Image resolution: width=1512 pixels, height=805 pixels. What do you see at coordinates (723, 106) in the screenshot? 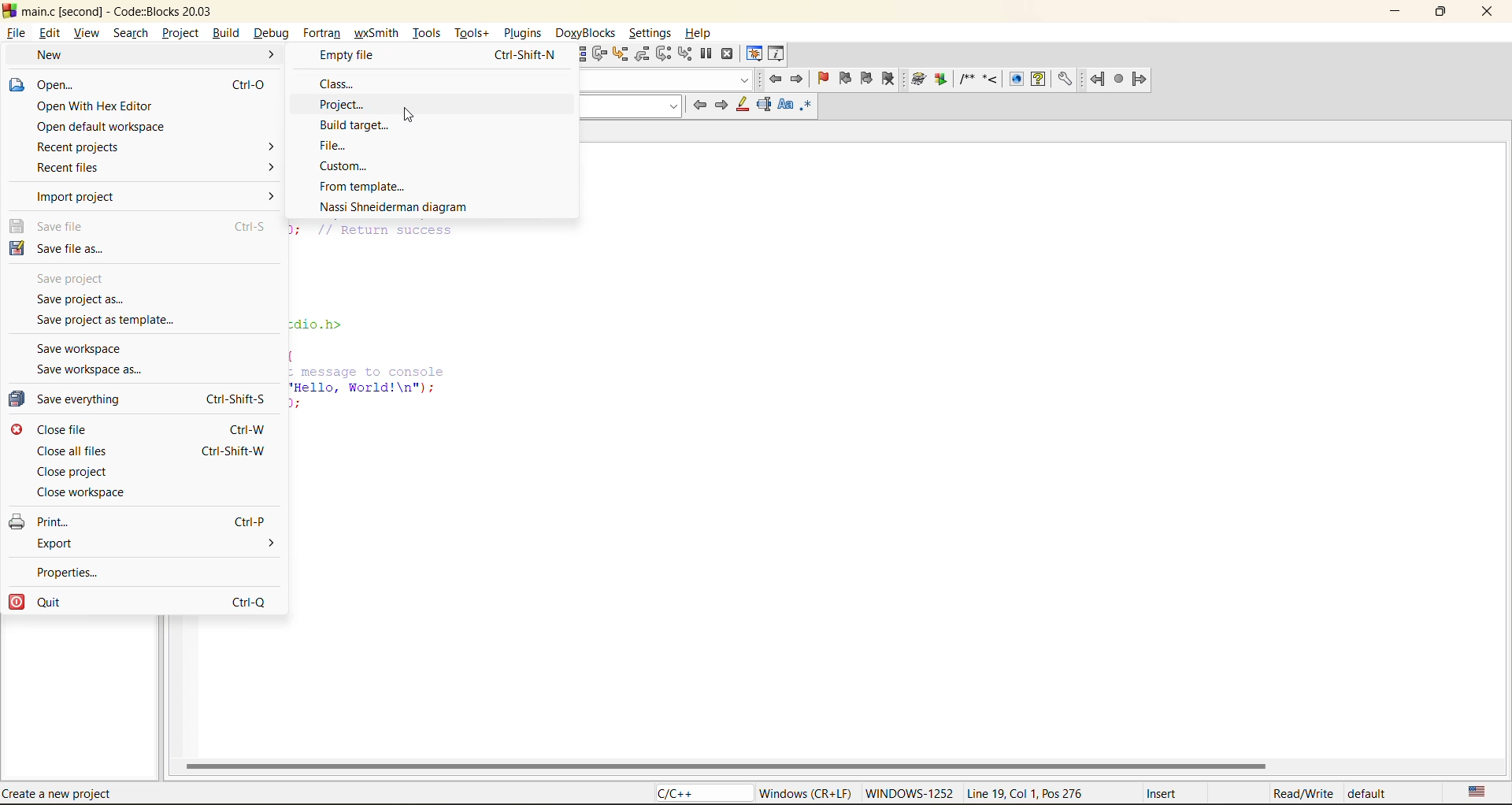
I see `next` at bounding box center [723, 106].